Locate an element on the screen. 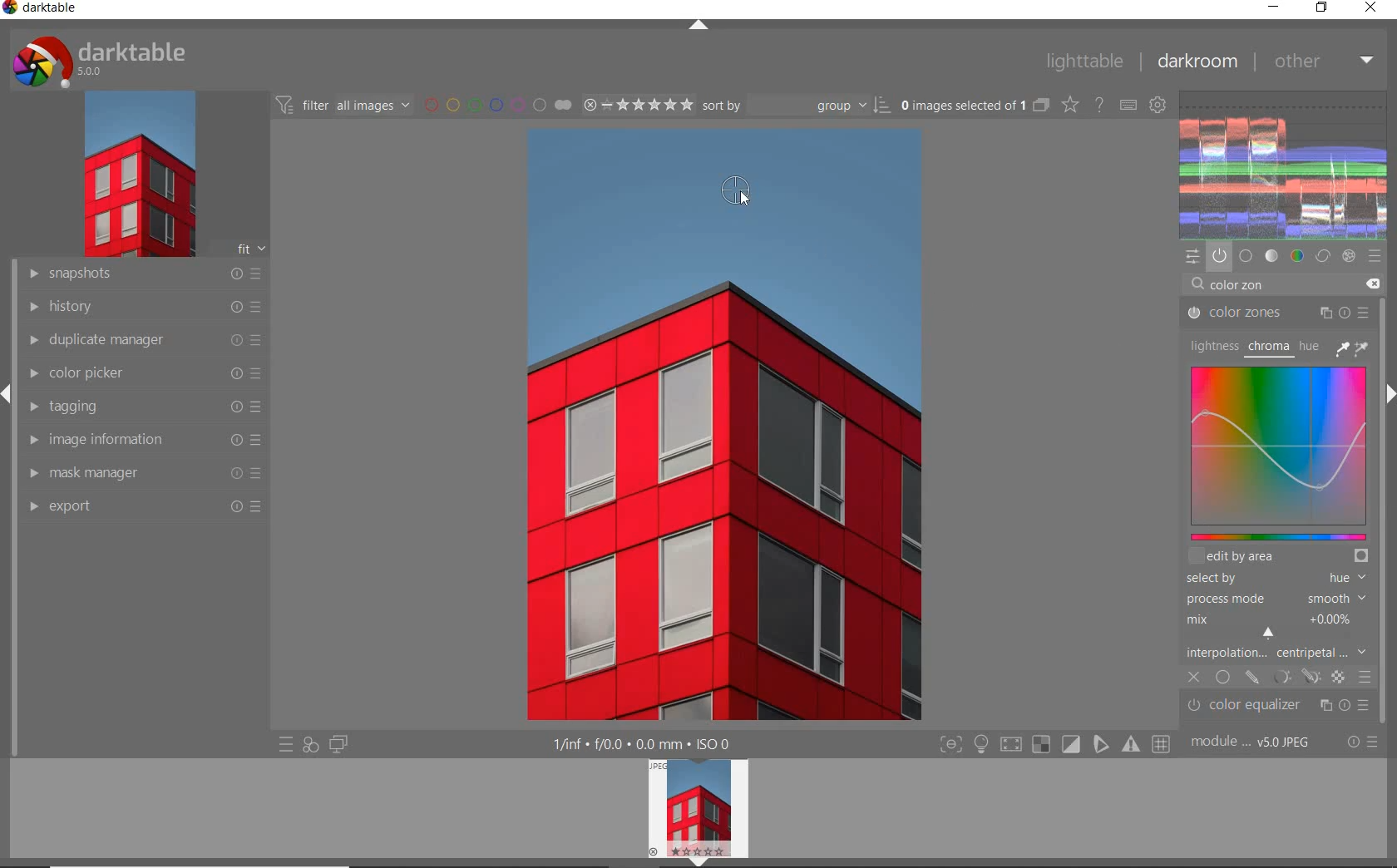 The width and height of the screenshot is (1397, 868). Sort is located at coordinates (797, 106).